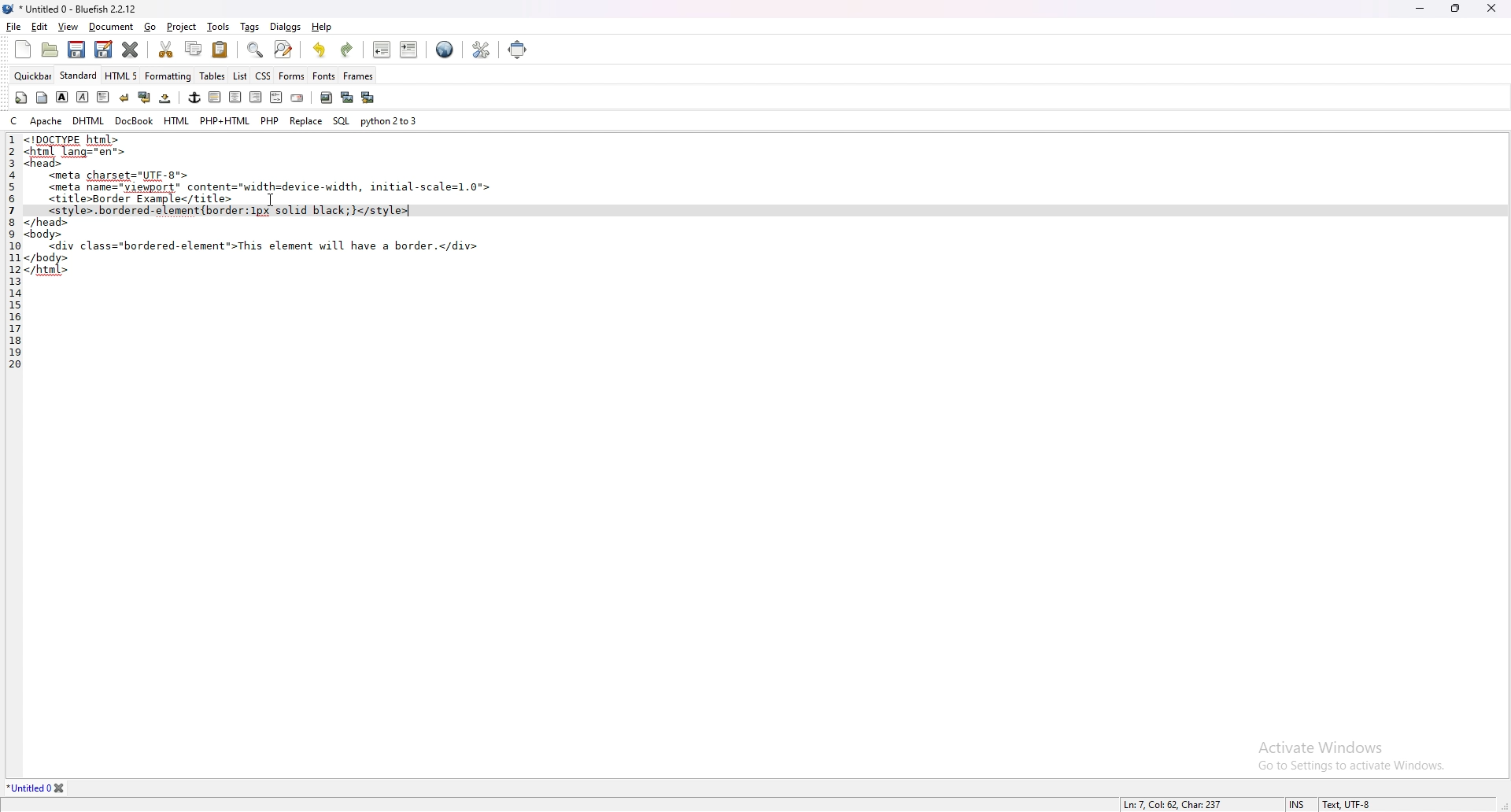 Image resolution: width=1511 pixels, height=812 pixels. I want to click on dialogs, so click(285, 26).